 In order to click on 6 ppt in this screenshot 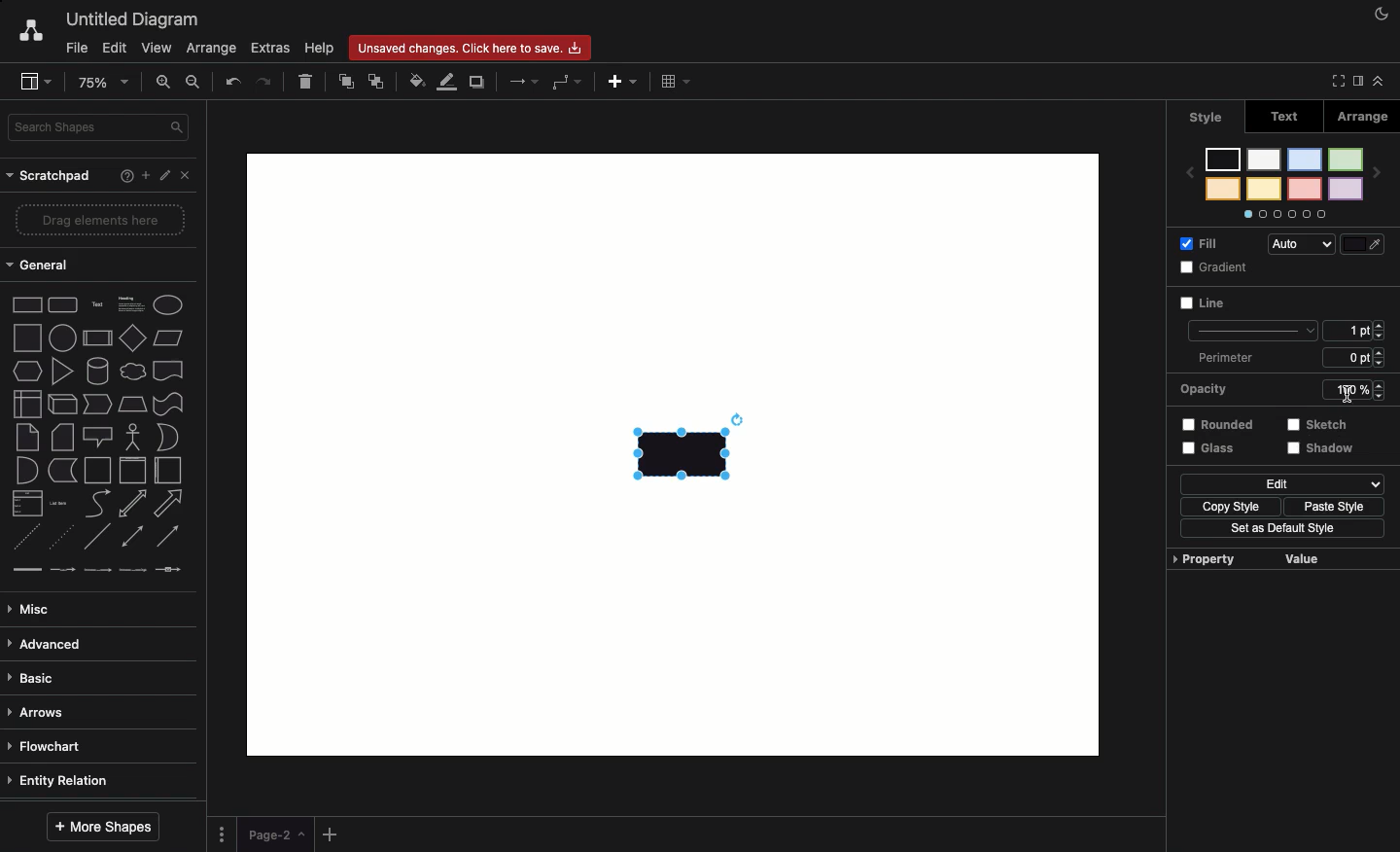, I will do `click(1359, 360)`.